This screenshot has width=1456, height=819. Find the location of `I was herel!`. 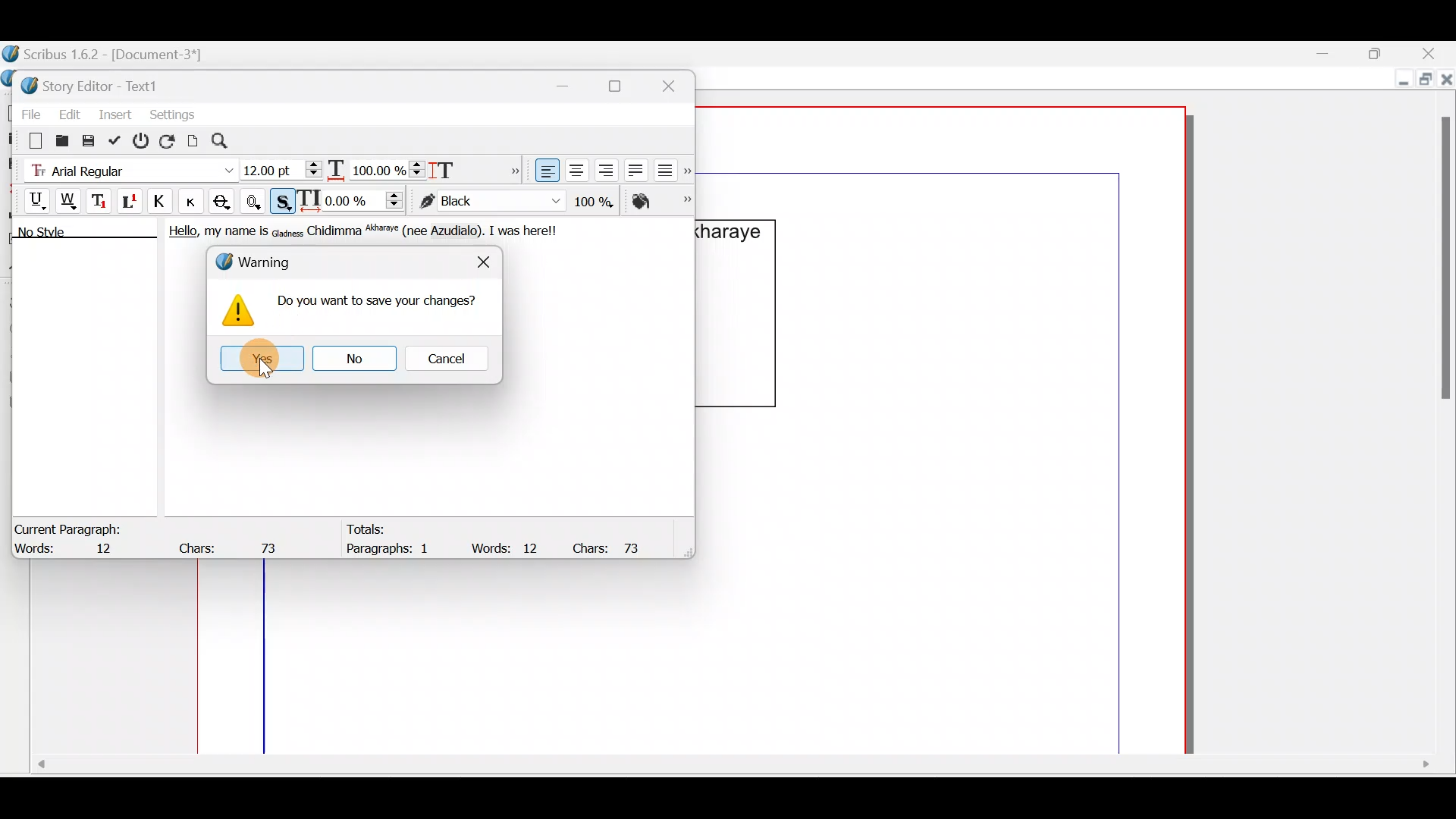

I was herel! is located at coordinates (526, 229).